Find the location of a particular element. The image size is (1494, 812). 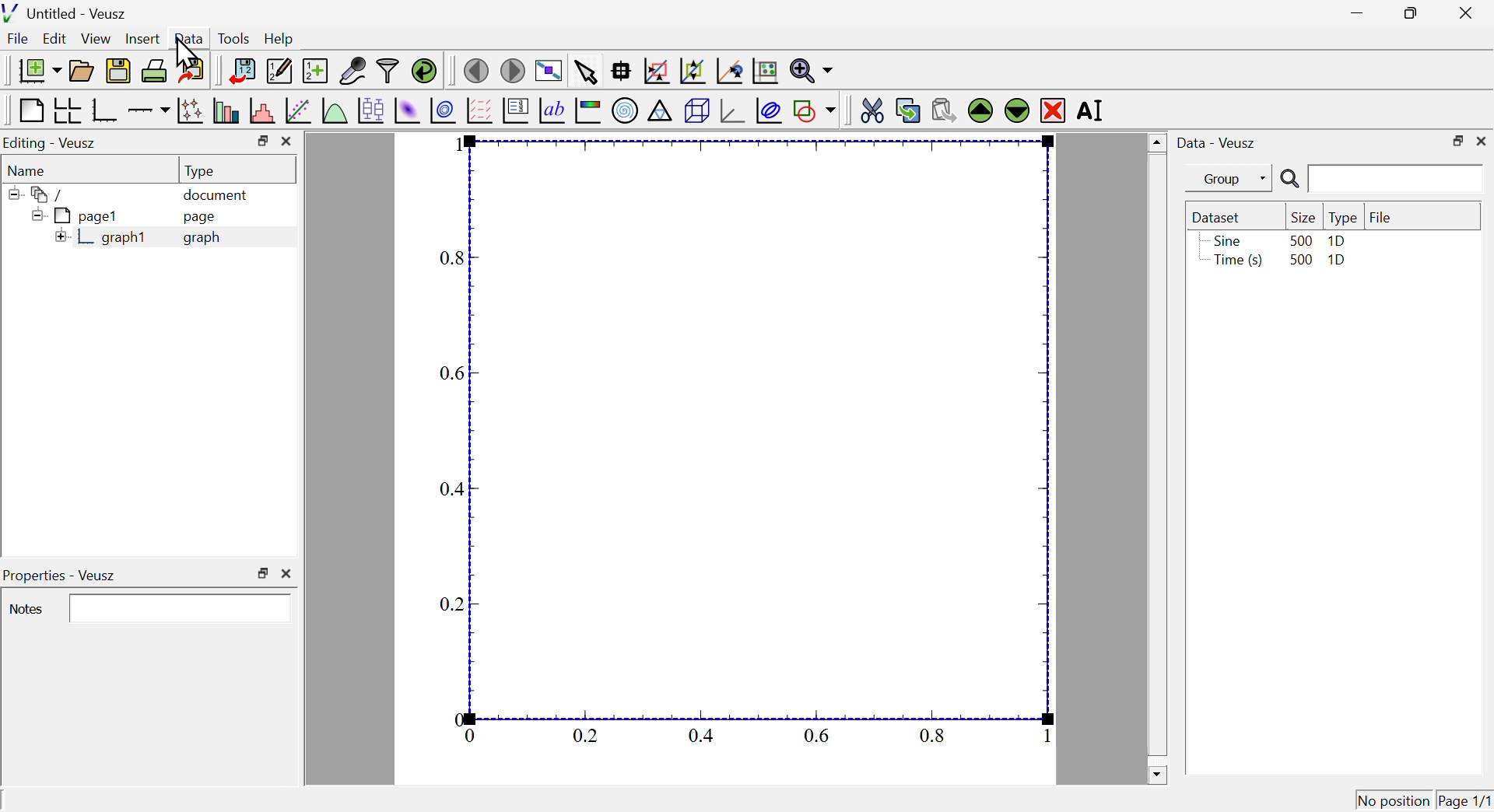

plot key is located at coordinates (516, 113).